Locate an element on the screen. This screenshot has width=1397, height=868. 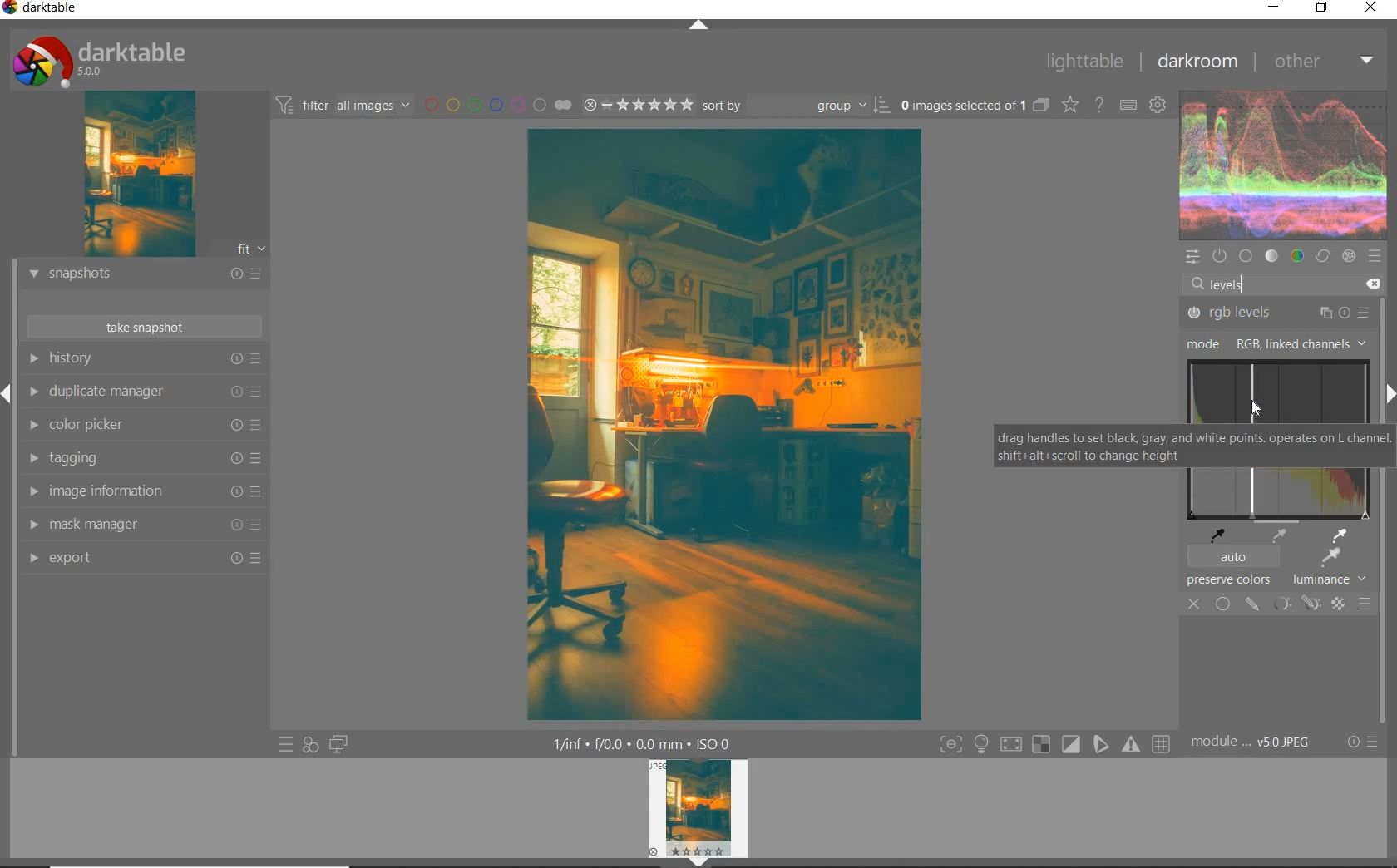
color picker is located at coordinates (141, 424).